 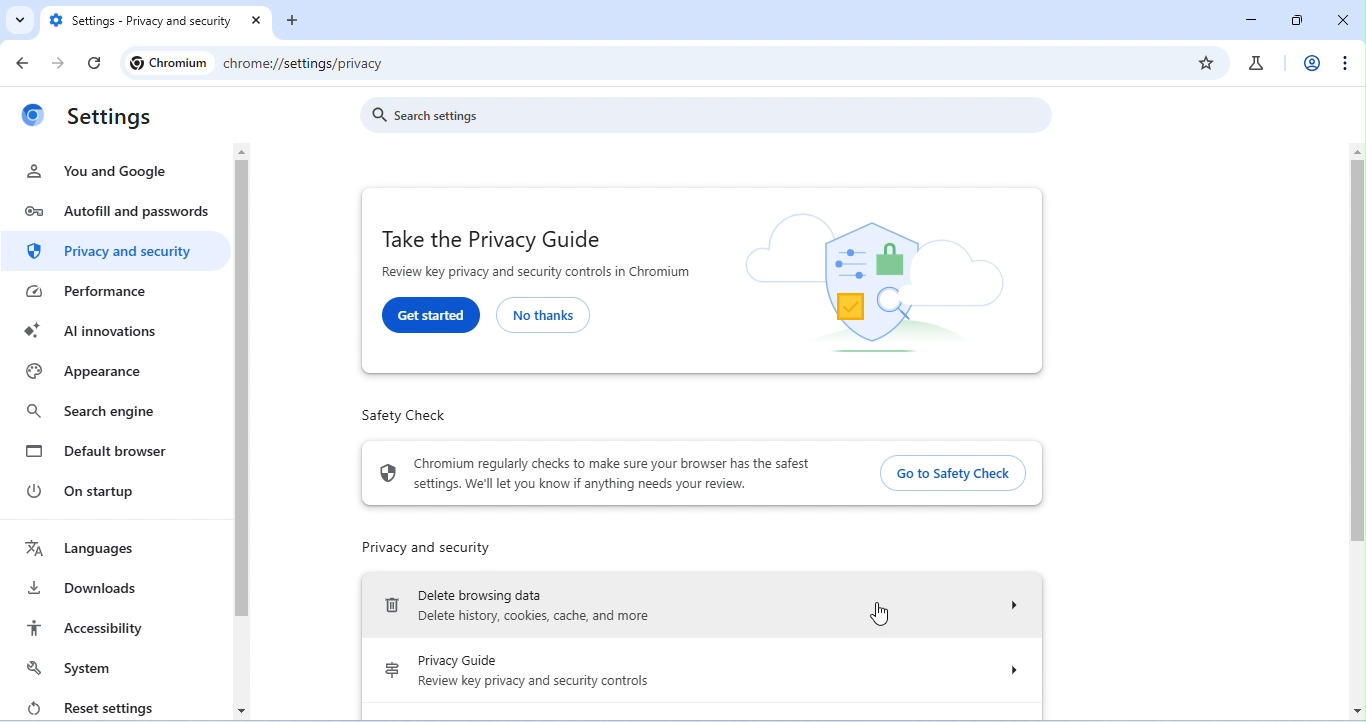 What do you see at coordinates (555, 619) in the screenshot?
I see `delete history, cookies, cache and more` at bounding box center [555, 619].